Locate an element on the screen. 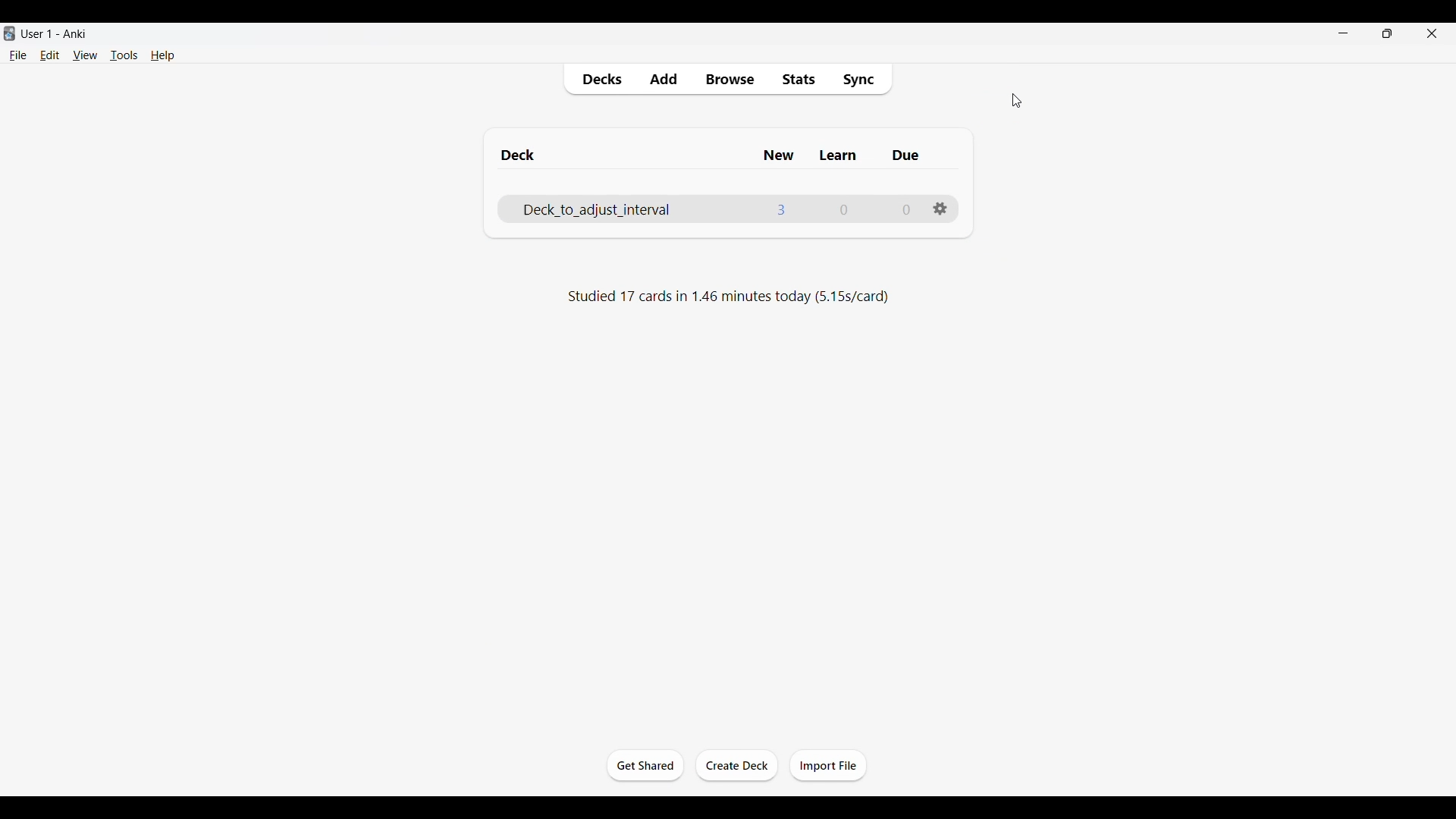 This screenshot has height=819, width=1456. File menu is located at coordinates (17, 56).